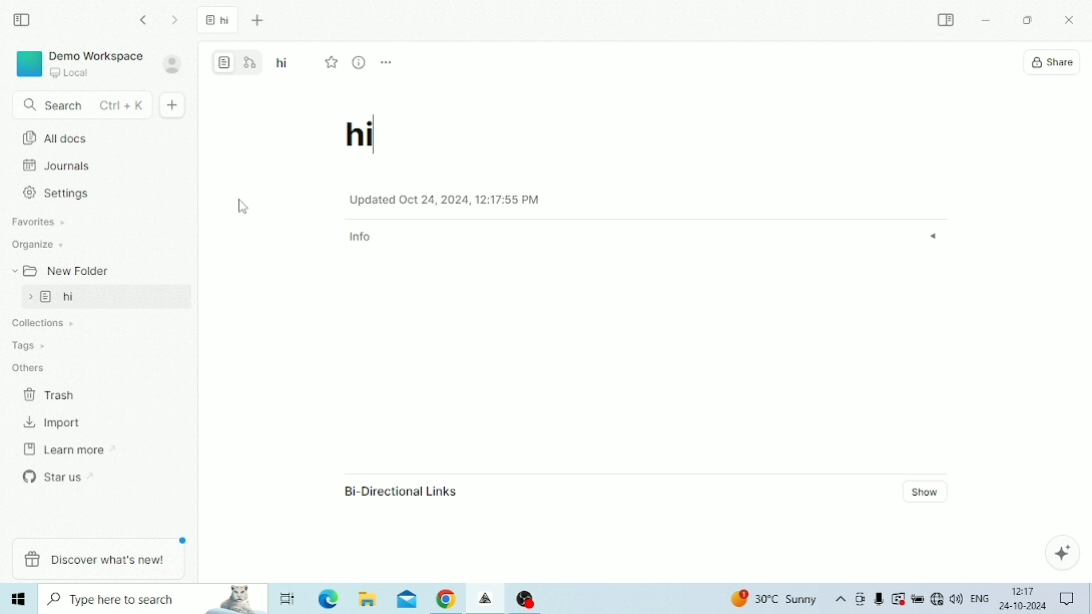 Image resolution: width=1092 pixels, height=614 pixels. What do you see at coordinates (154, 599) in the screenshot?
I see `Type here to search` at bounding box center [154, 599].